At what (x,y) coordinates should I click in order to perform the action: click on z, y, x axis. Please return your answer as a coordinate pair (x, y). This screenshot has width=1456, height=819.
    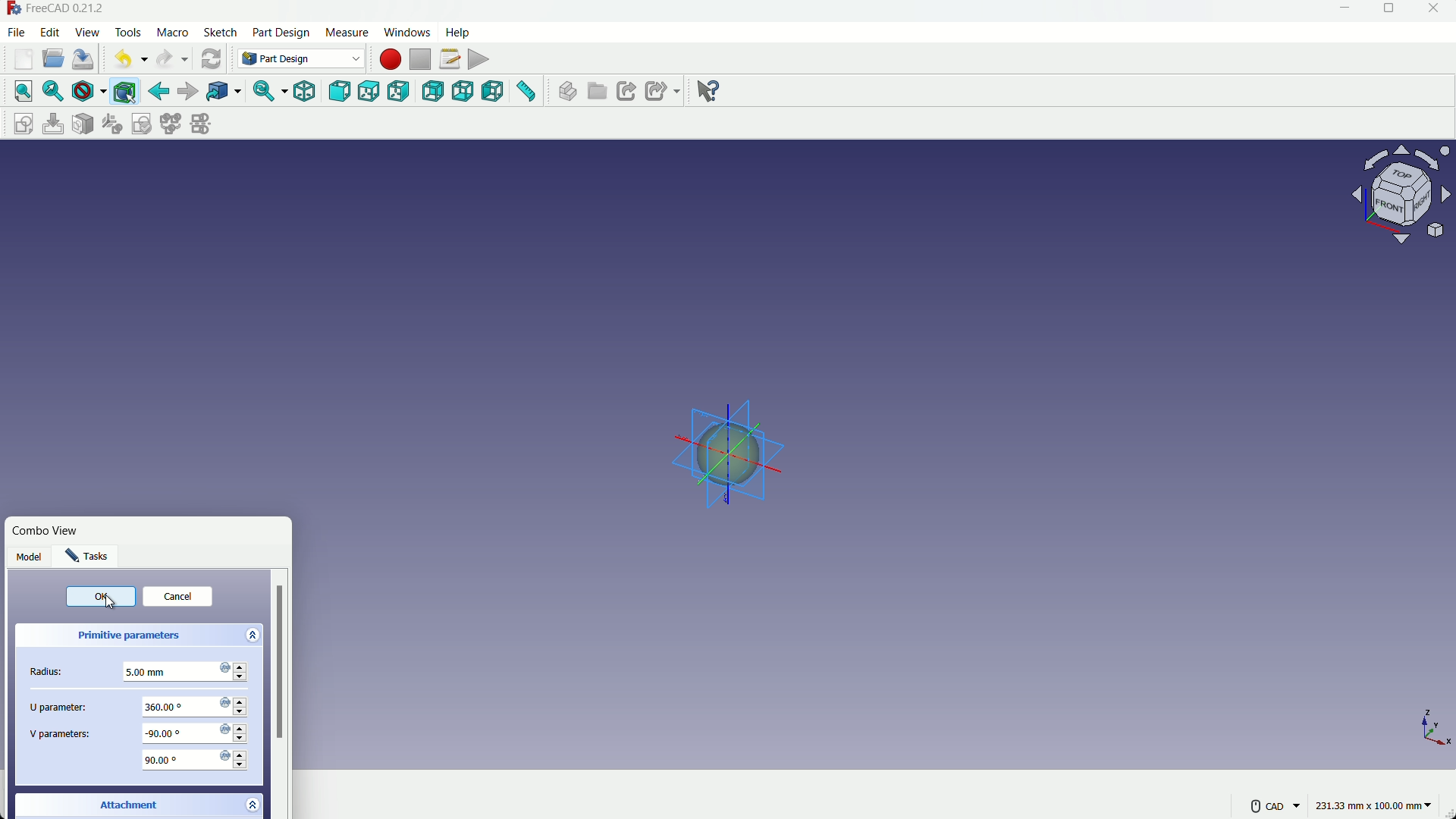
    Looking at the image, I should click on (1436, 723).